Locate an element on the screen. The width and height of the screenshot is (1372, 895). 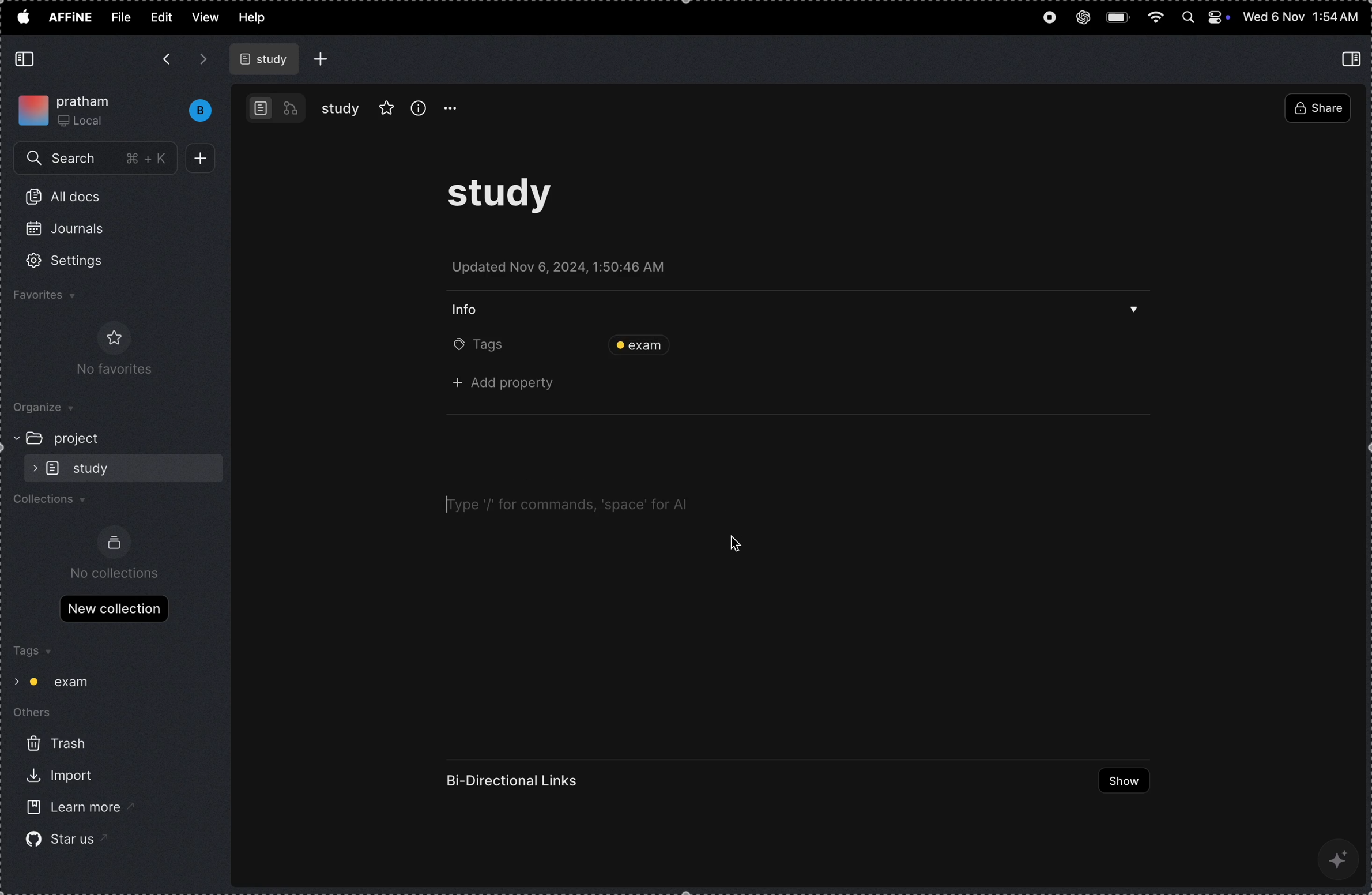
organize is located at coordinates (52, 409).